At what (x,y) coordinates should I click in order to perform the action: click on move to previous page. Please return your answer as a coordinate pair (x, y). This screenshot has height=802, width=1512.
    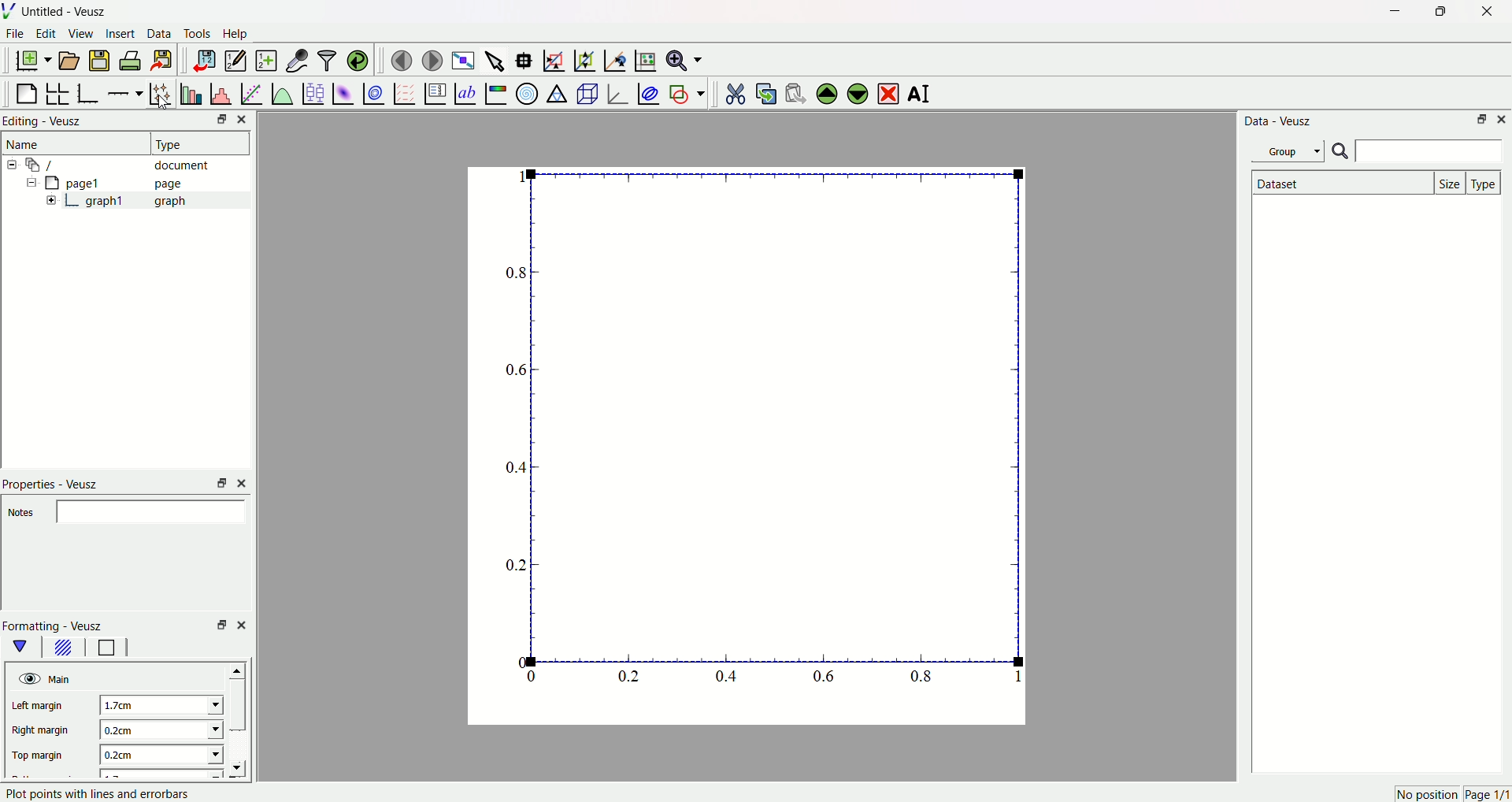
    Looking at the image, I should click on (401, 60).